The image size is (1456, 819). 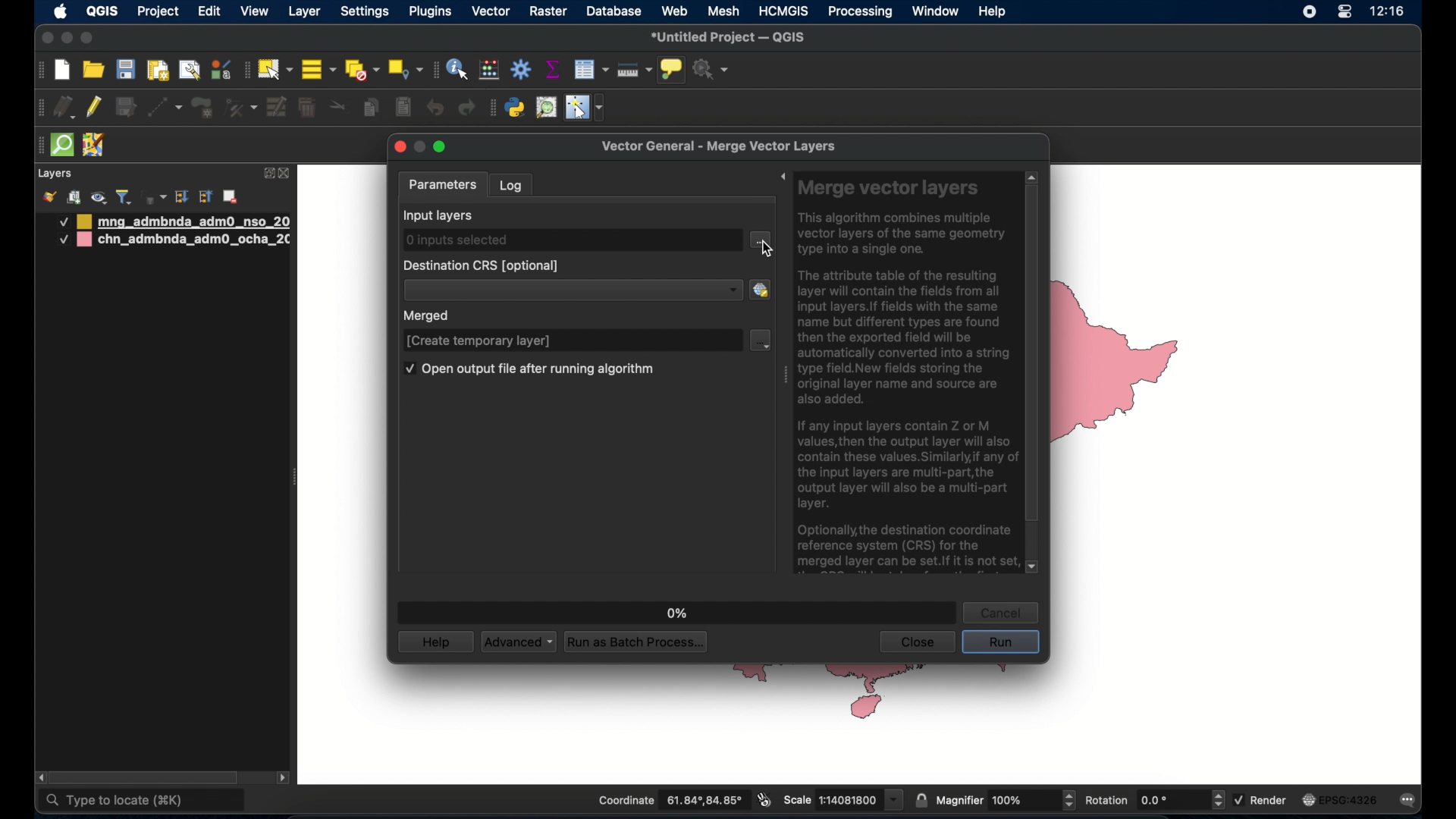 What do you see at coordinates (676, 11) in the screenshot?
I see `web` at bounding box center [676, 11].